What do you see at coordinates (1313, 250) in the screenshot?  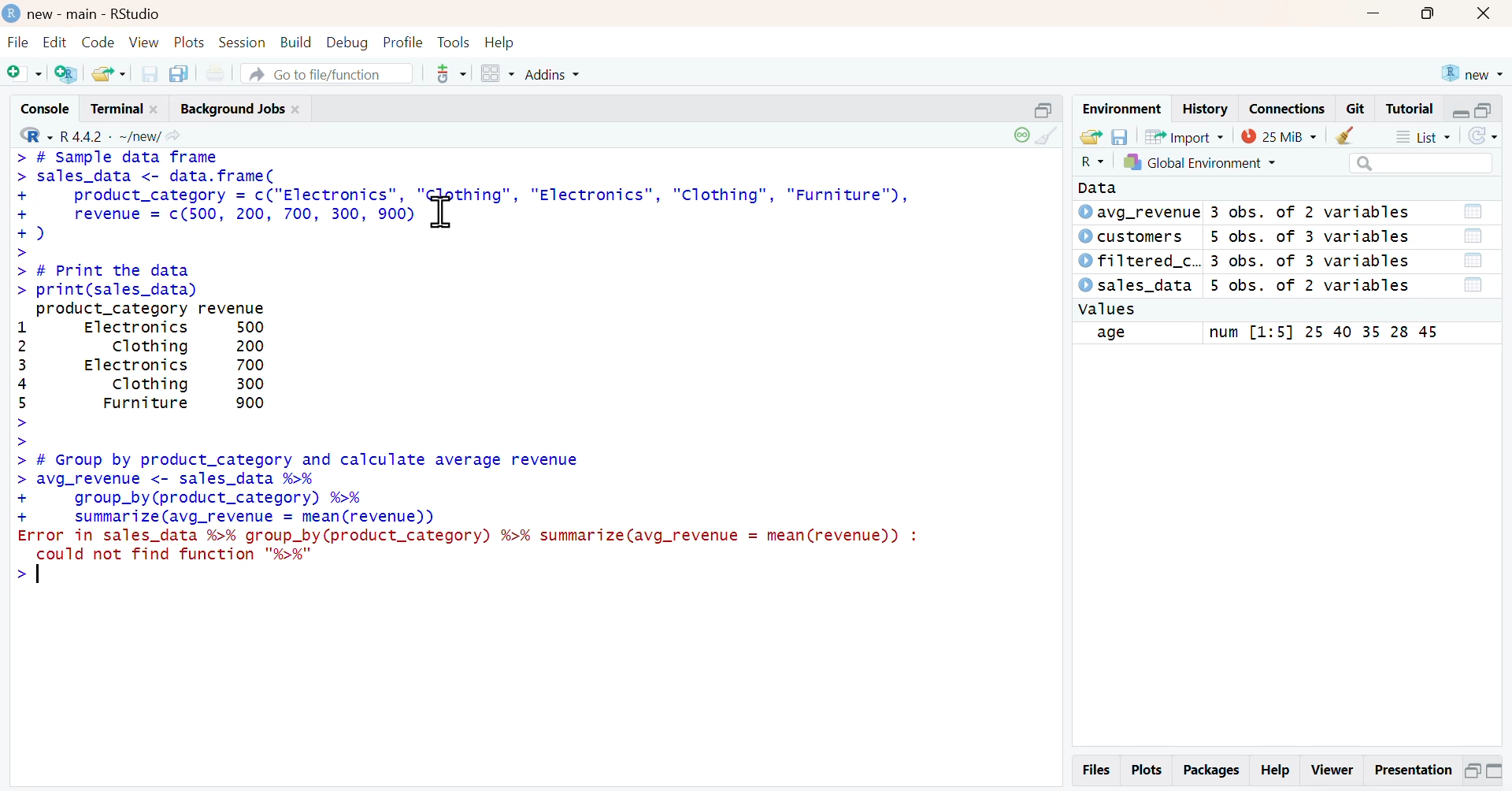 I see `Dataset meta info` at bounding box center [1313, 250].